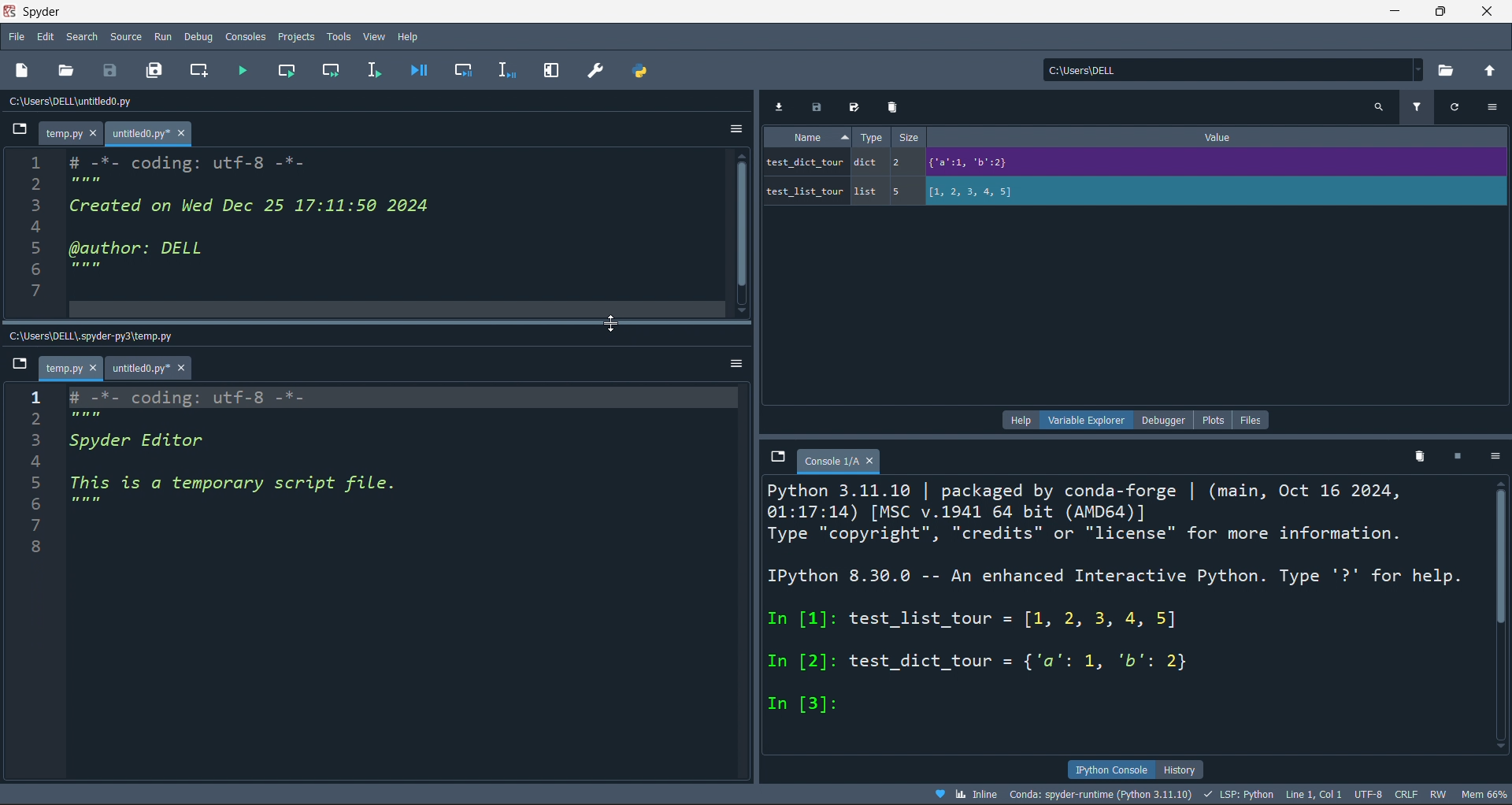 This screenshot has height=805, width=1512. What do you see at coordinates (380, 69) in the screenshot?
I see `run line` at bounding box center [380, 69].